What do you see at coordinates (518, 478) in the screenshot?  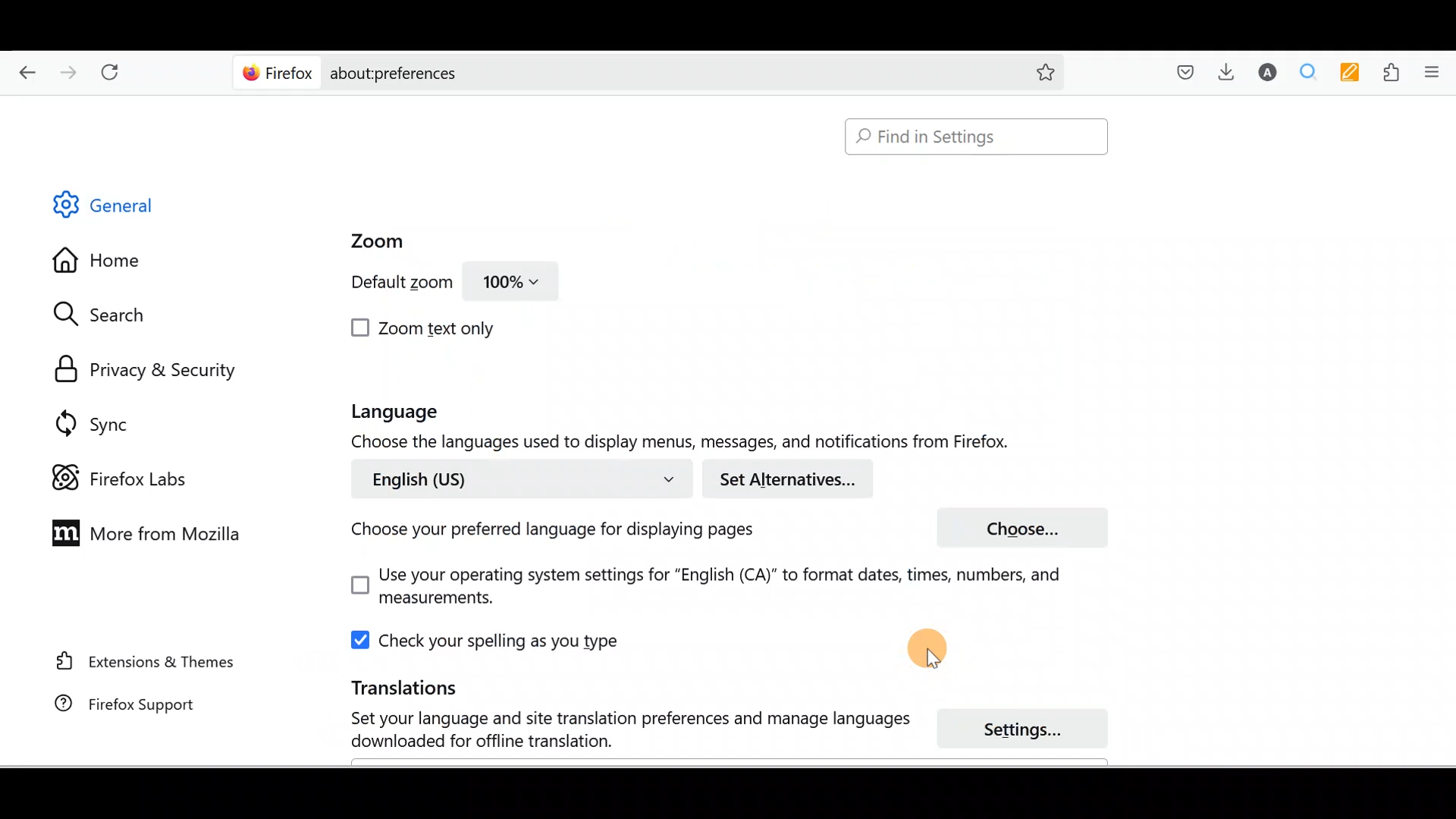 I see `English (US)` at bounding box center [518, 478].